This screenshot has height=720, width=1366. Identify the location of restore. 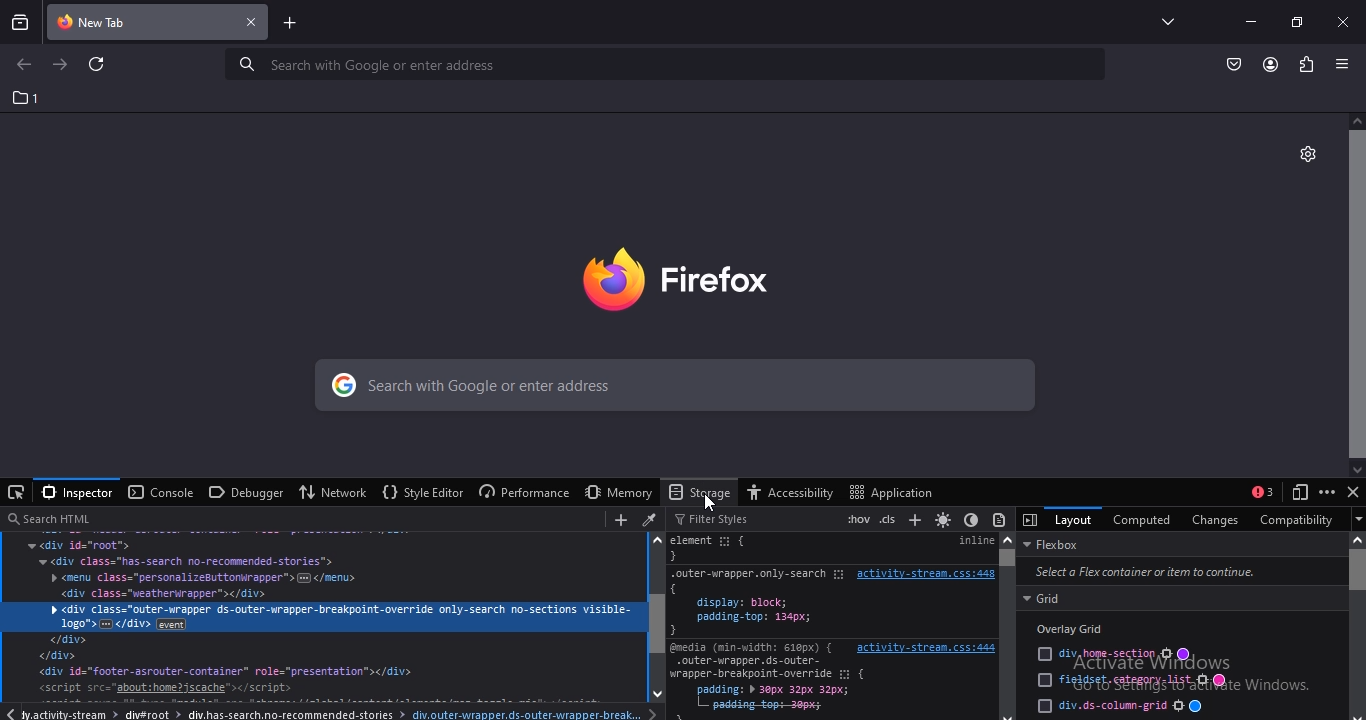
(1296, 21).